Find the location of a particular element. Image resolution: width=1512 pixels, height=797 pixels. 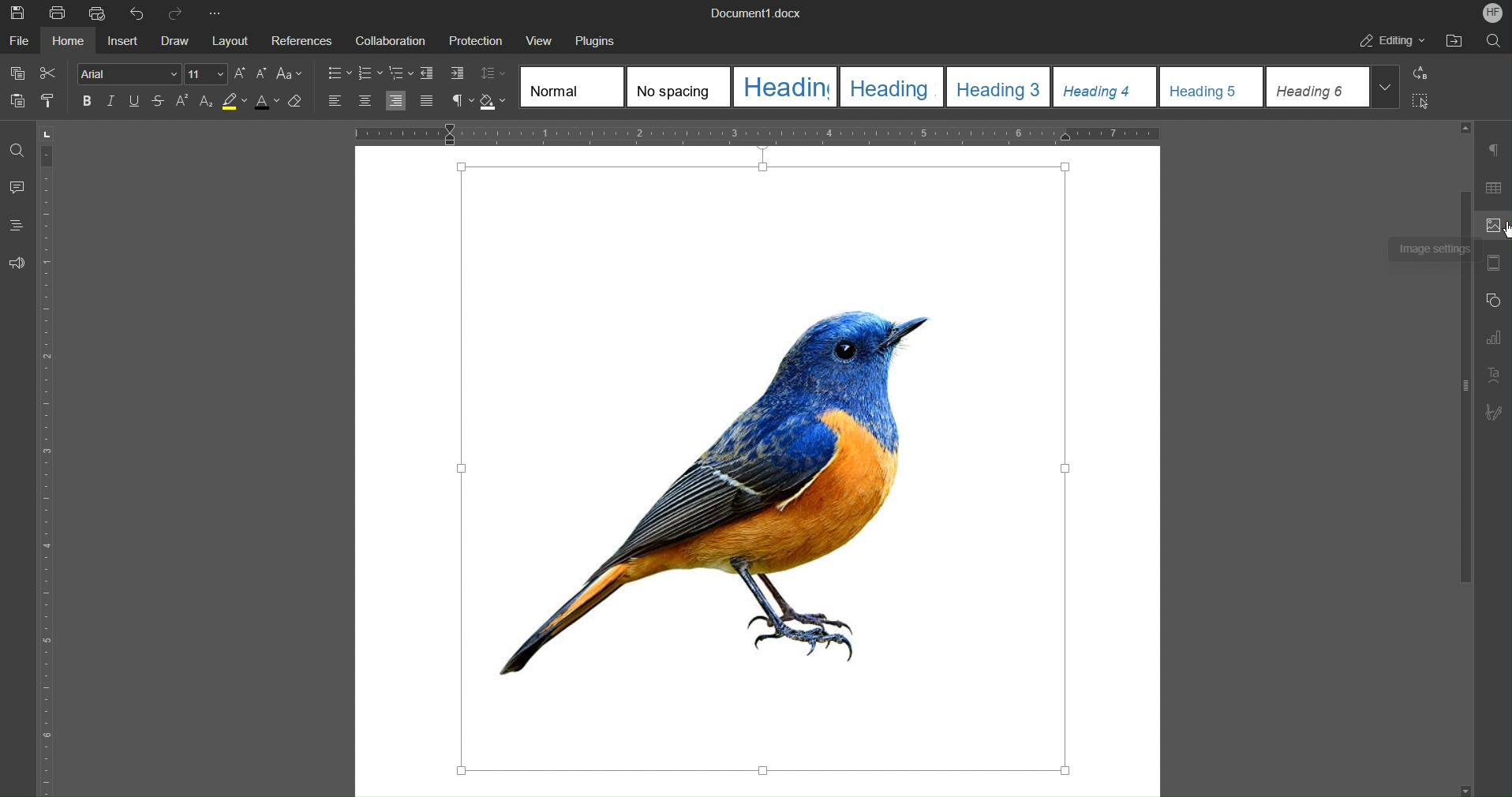

Customize Quick Access Bar is located at coordinates (214, 11).